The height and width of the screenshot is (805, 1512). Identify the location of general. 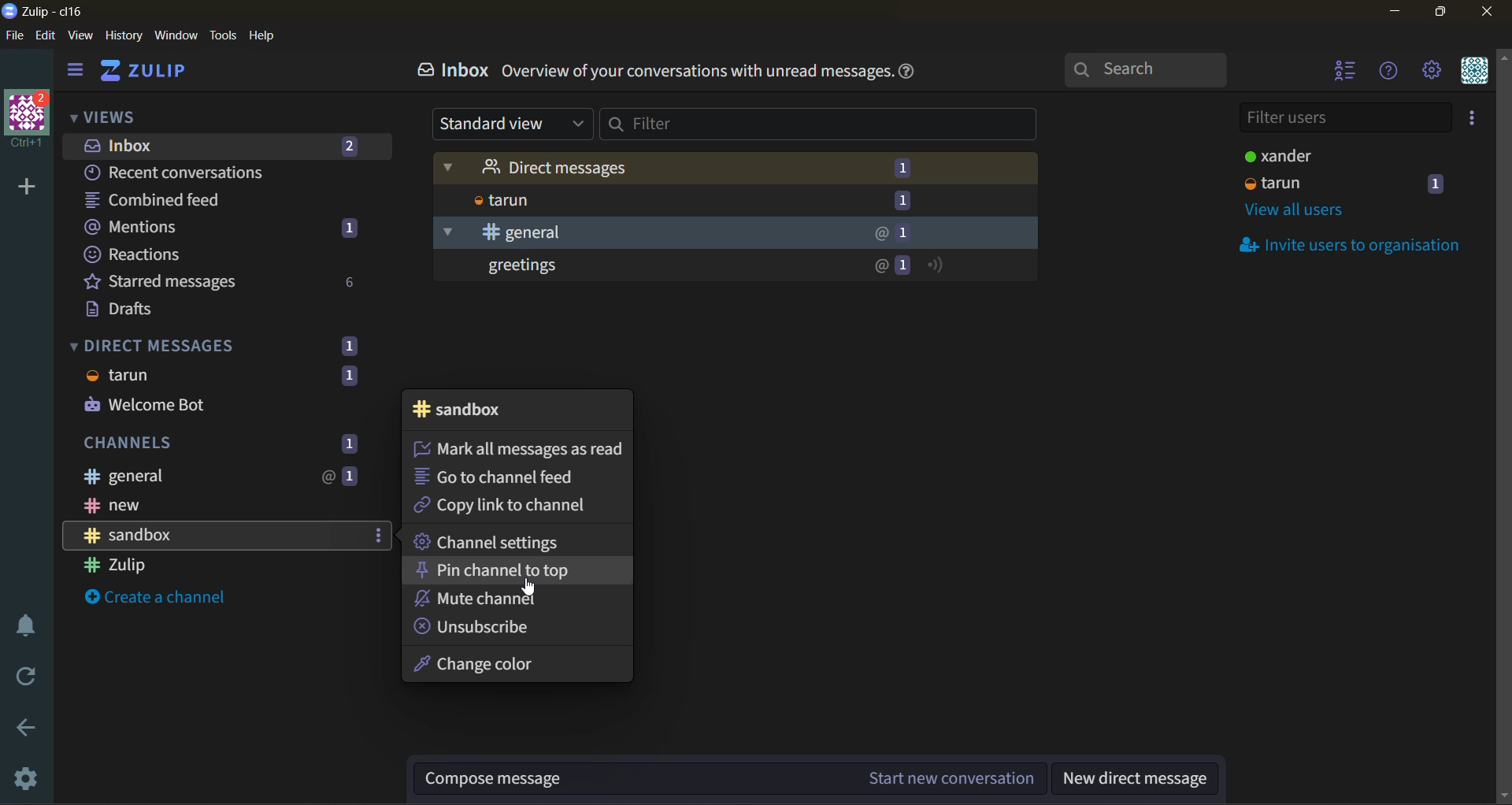
(219, 474).